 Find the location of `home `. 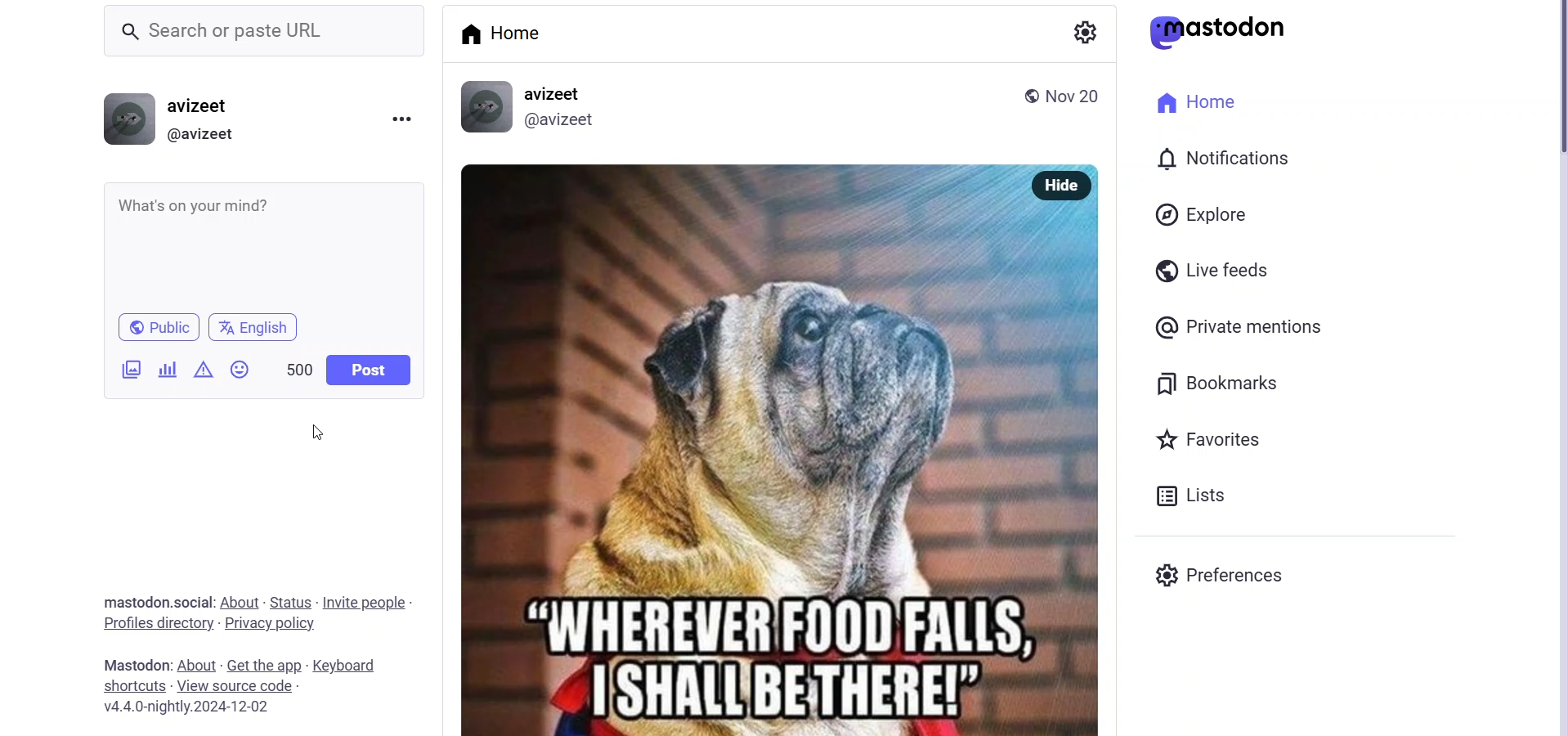

home  is located at coordinates (510, 33).